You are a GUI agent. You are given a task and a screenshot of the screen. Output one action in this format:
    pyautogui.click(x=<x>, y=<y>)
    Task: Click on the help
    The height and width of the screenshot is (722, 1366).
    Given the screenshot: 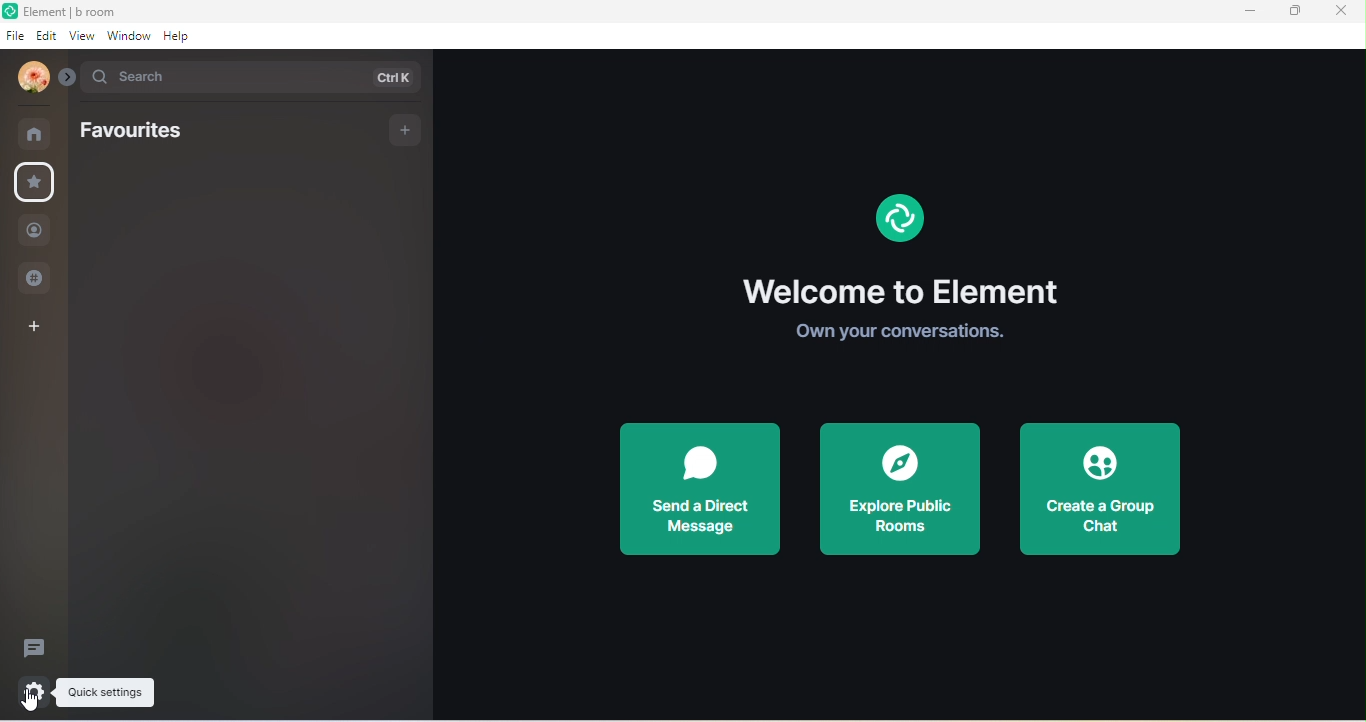 What is the action you would take?
    pyautogui.click(x=181, y=36)
    